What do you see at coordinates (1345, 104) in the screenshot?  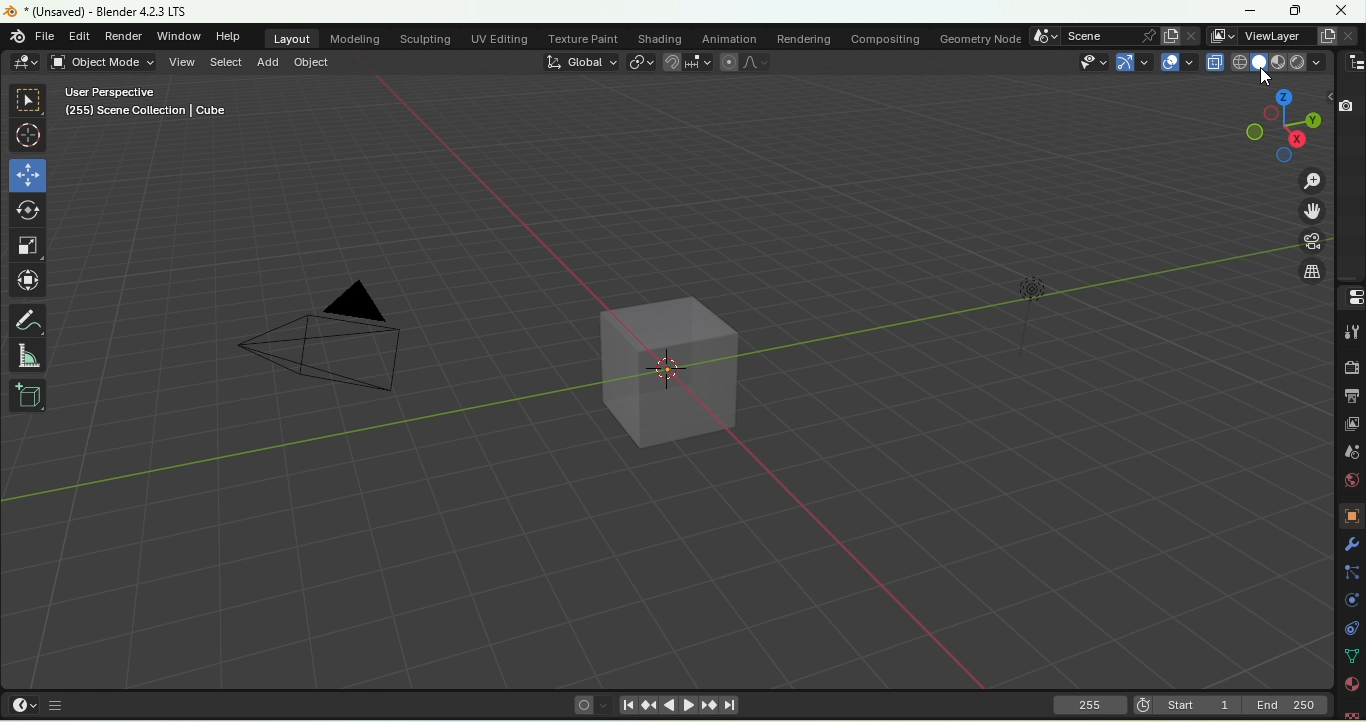 I see `Disable in renders` at bounding box center [1345, 104].